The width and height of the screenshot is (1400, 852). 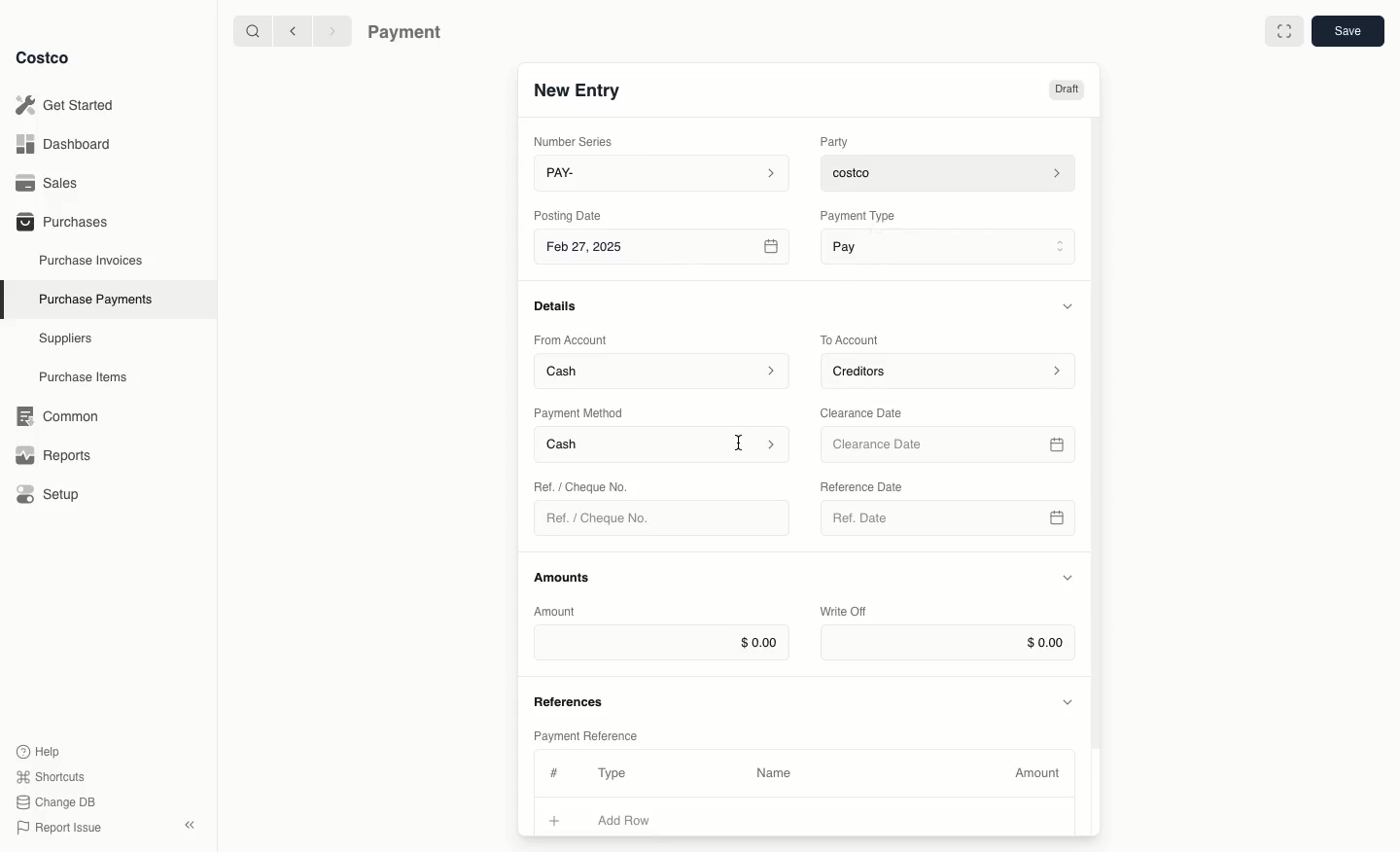 What do you see at coordinates (606, 518) in the screenshot?
I see `Ref. / Cheque No.` at bounding box center [606, 518].